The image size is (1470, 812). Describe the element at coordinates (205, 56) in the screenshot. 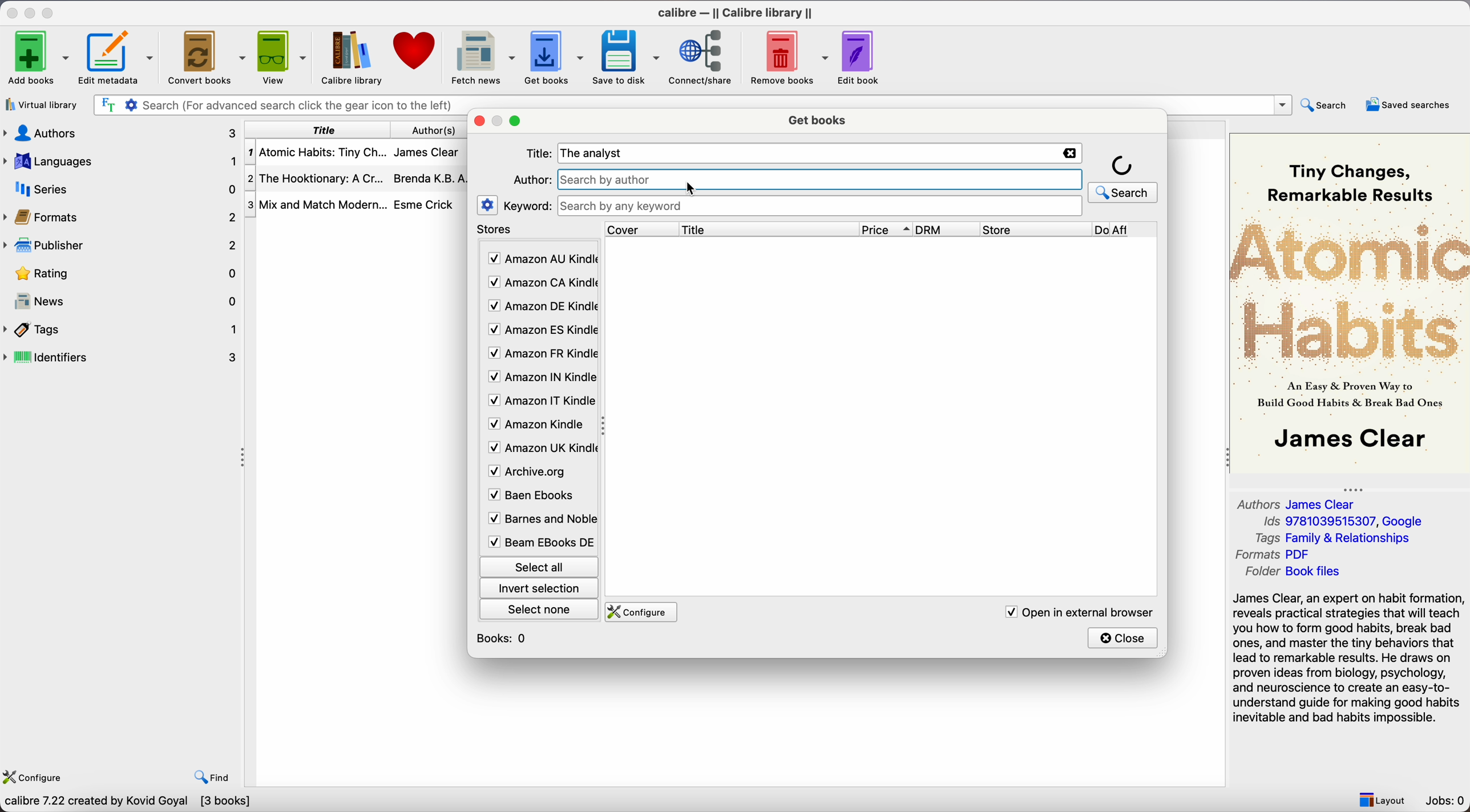

I see `convert books` at that location.